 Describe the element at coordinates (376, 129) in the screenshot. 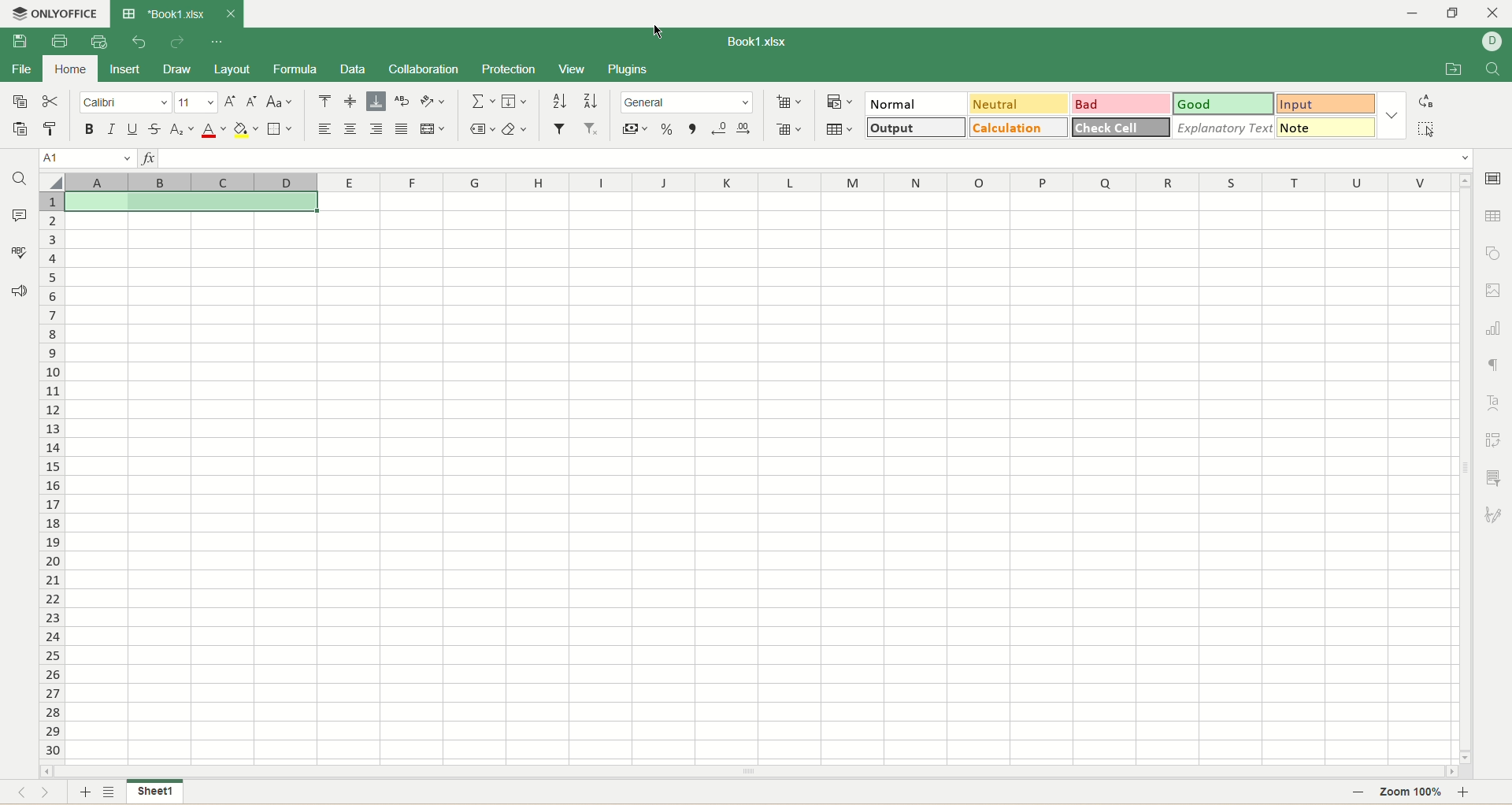

I see `align right` at that location.